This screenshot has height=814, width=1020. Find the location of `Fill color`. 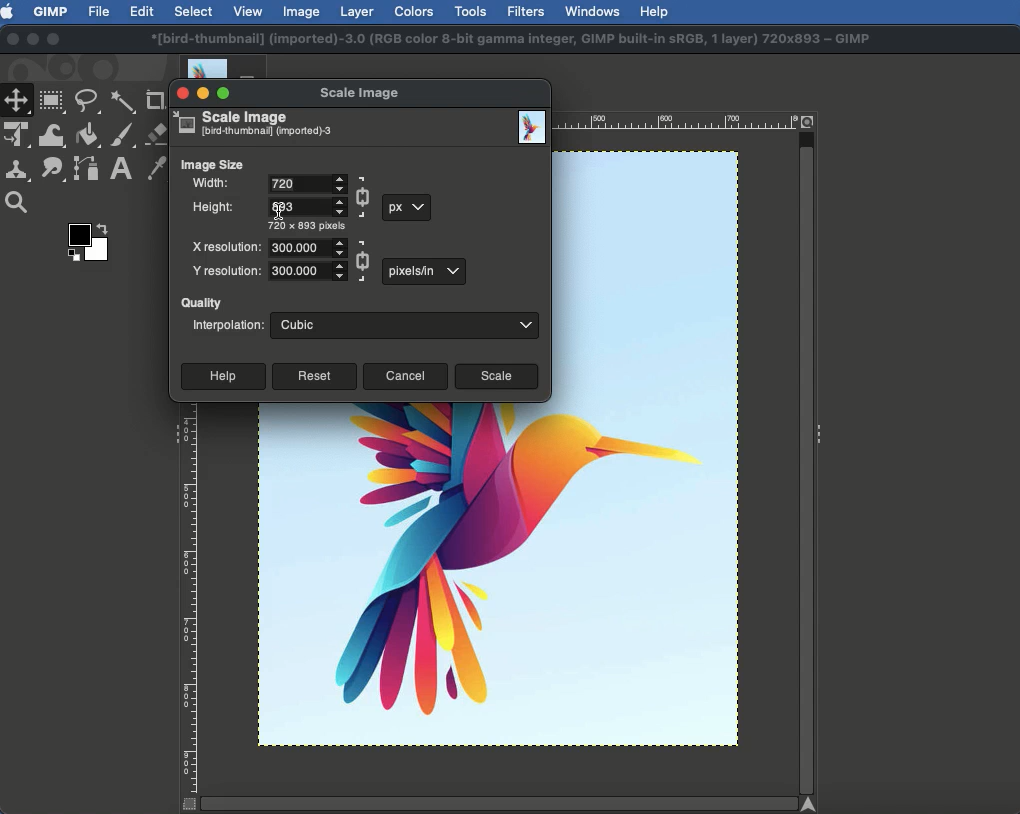

Fill color is located at coordinates (89, 136).